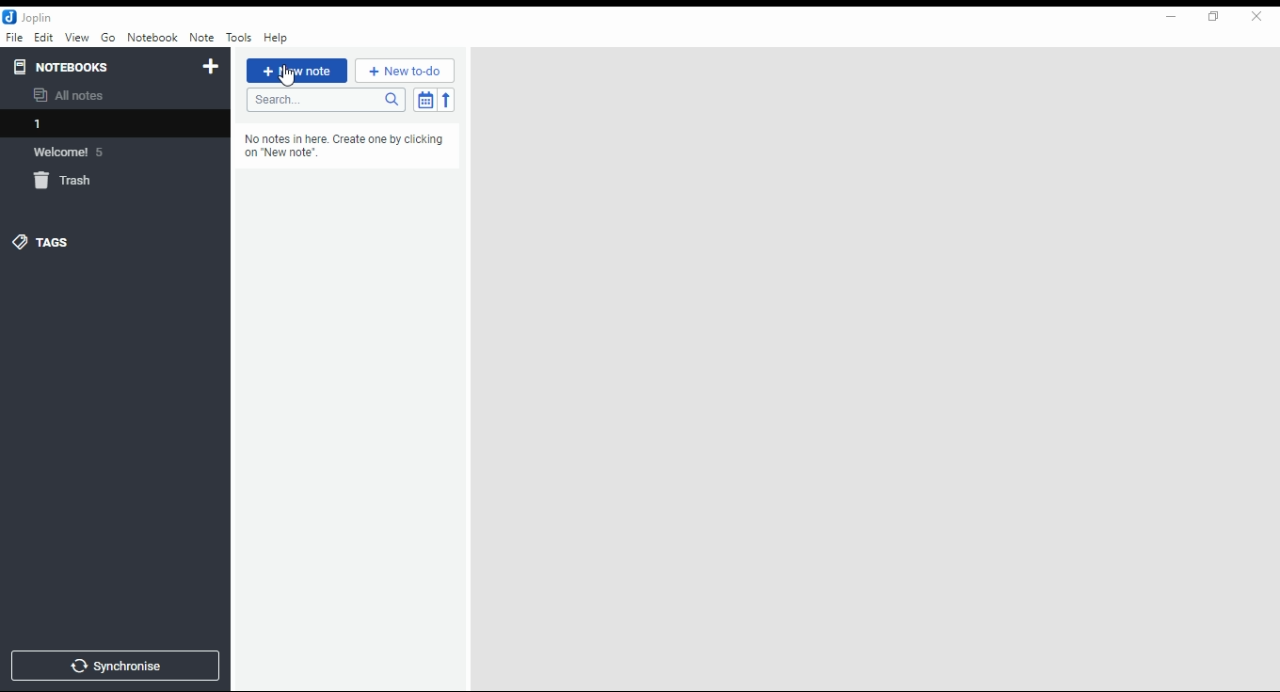 Image resolution: width=1280 pixels, height=692 pixels. What do you see at coordinates (73, 67) in the screenshot?
I see `notebooks` at bounding box center [73, 67].